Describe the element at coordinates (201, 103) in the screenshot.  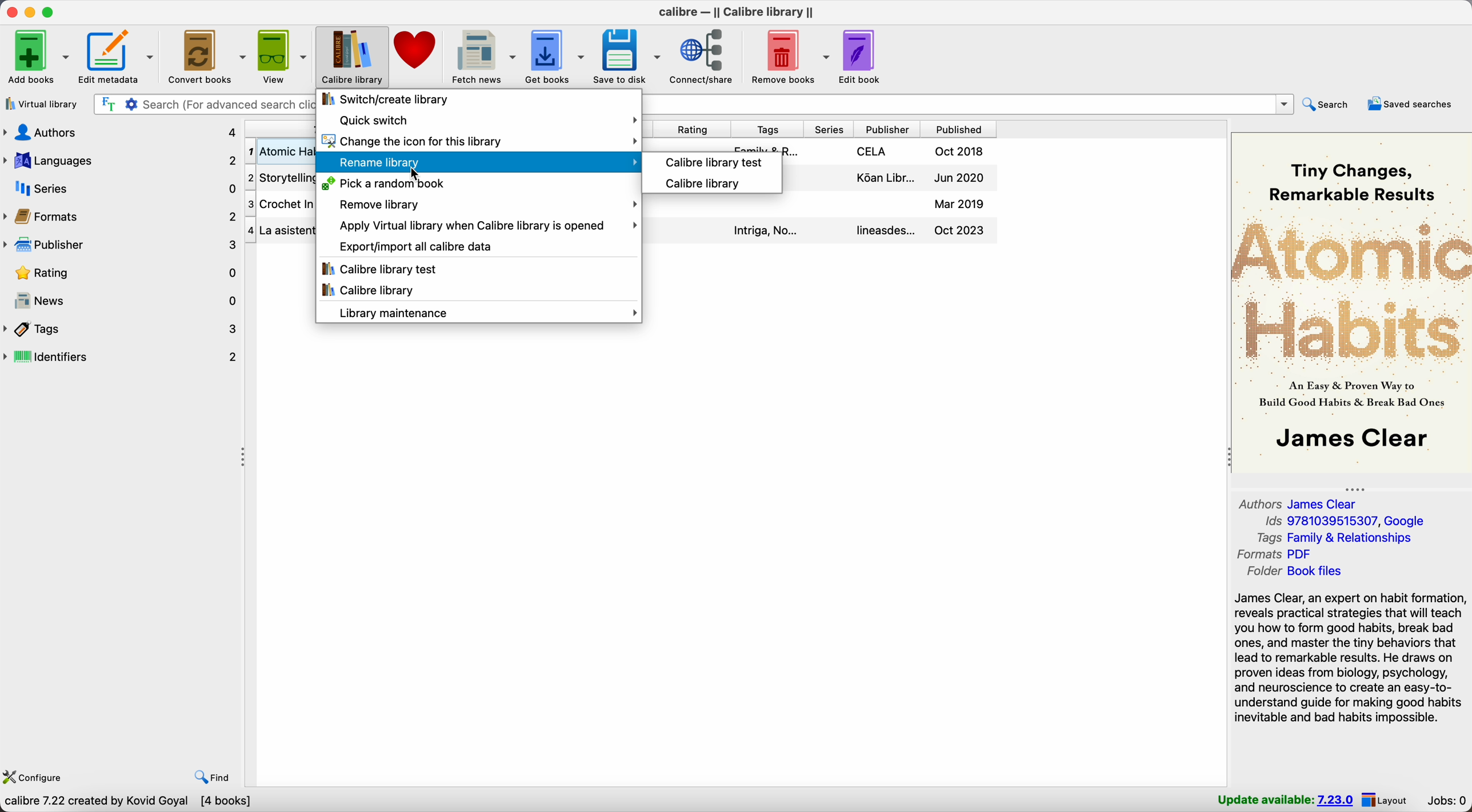
I see `search bar` at that location.